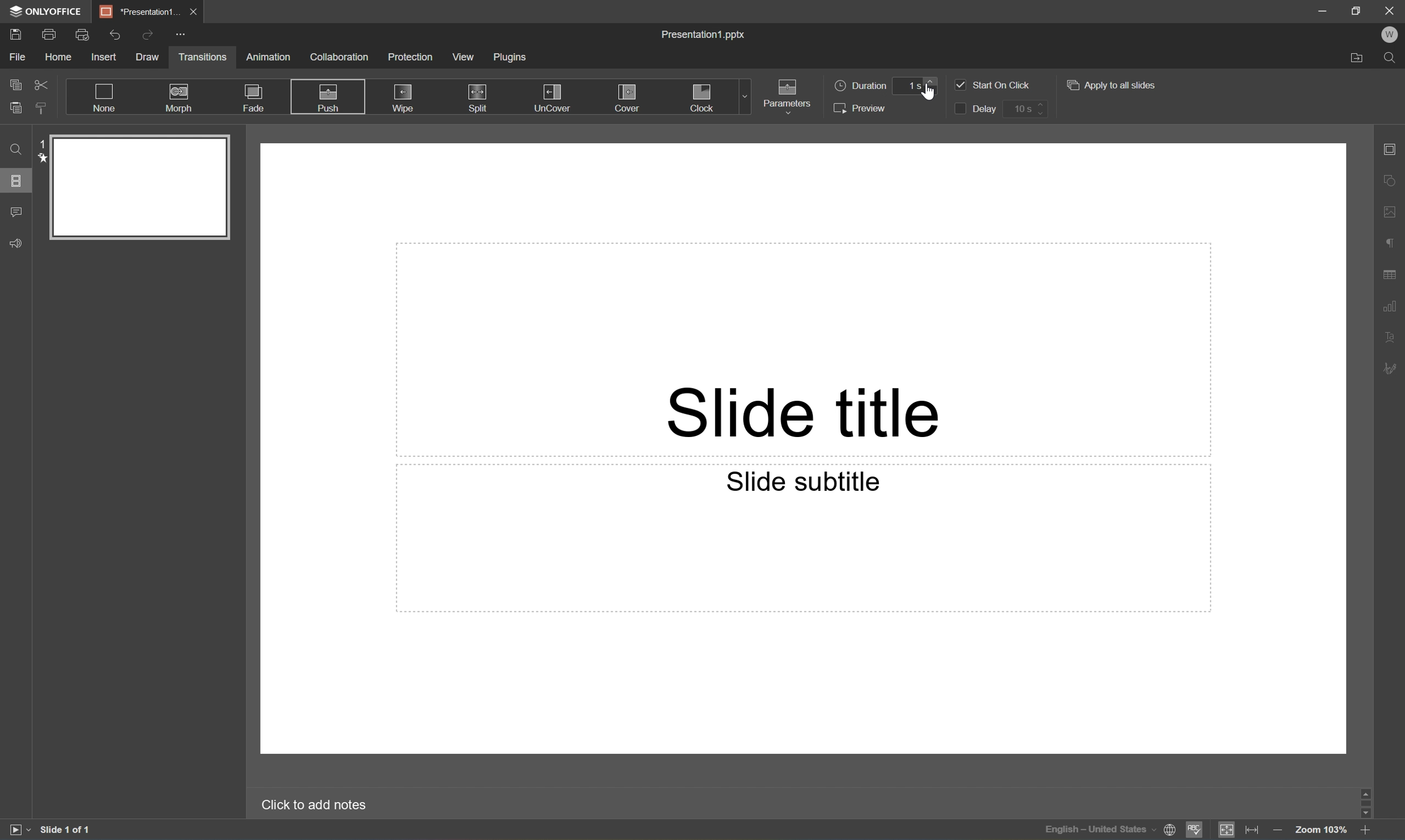  I want to click on Redo, so click(147, 35).